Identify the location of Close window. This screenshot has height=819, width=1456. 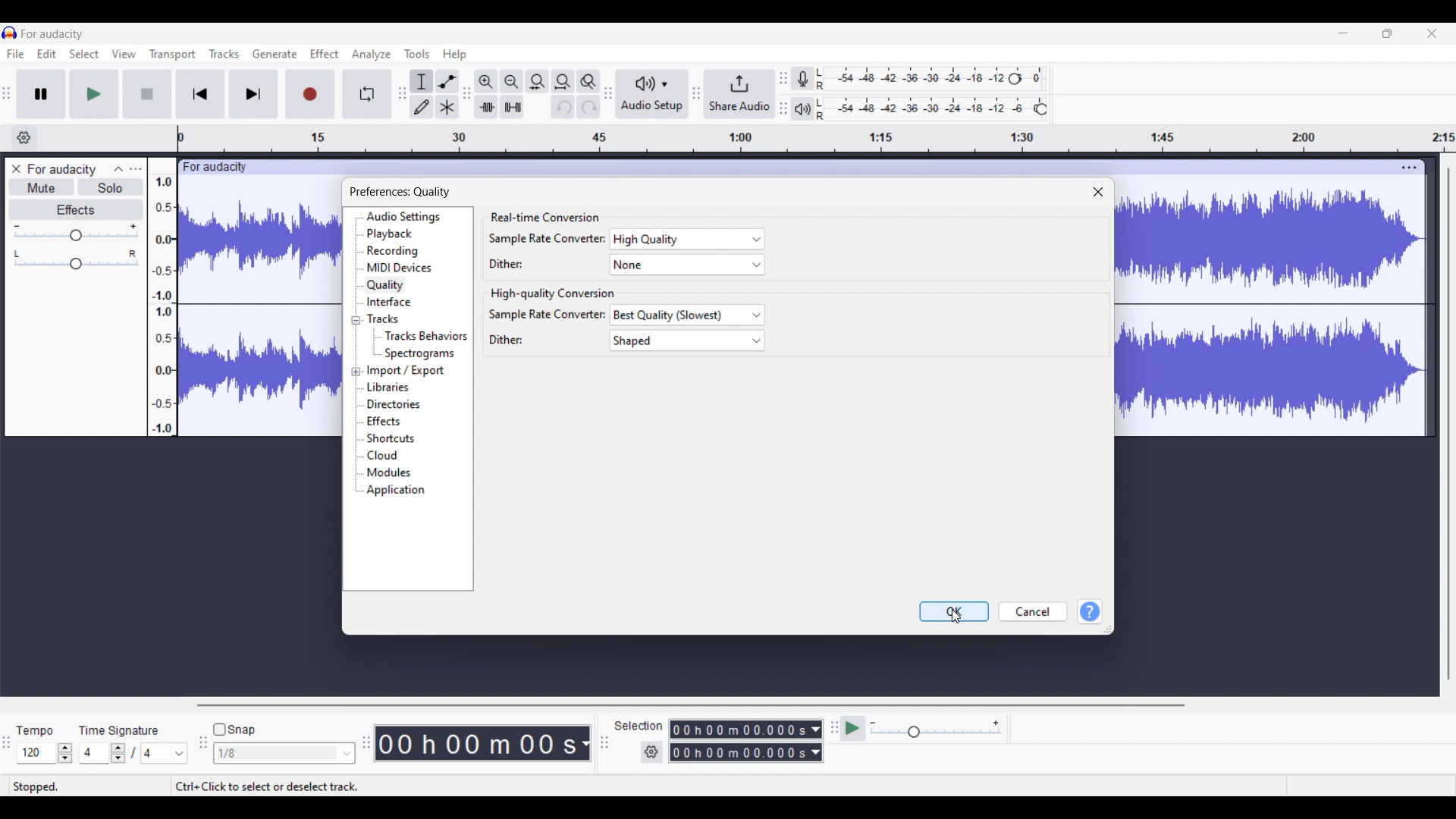
(1098, 193).